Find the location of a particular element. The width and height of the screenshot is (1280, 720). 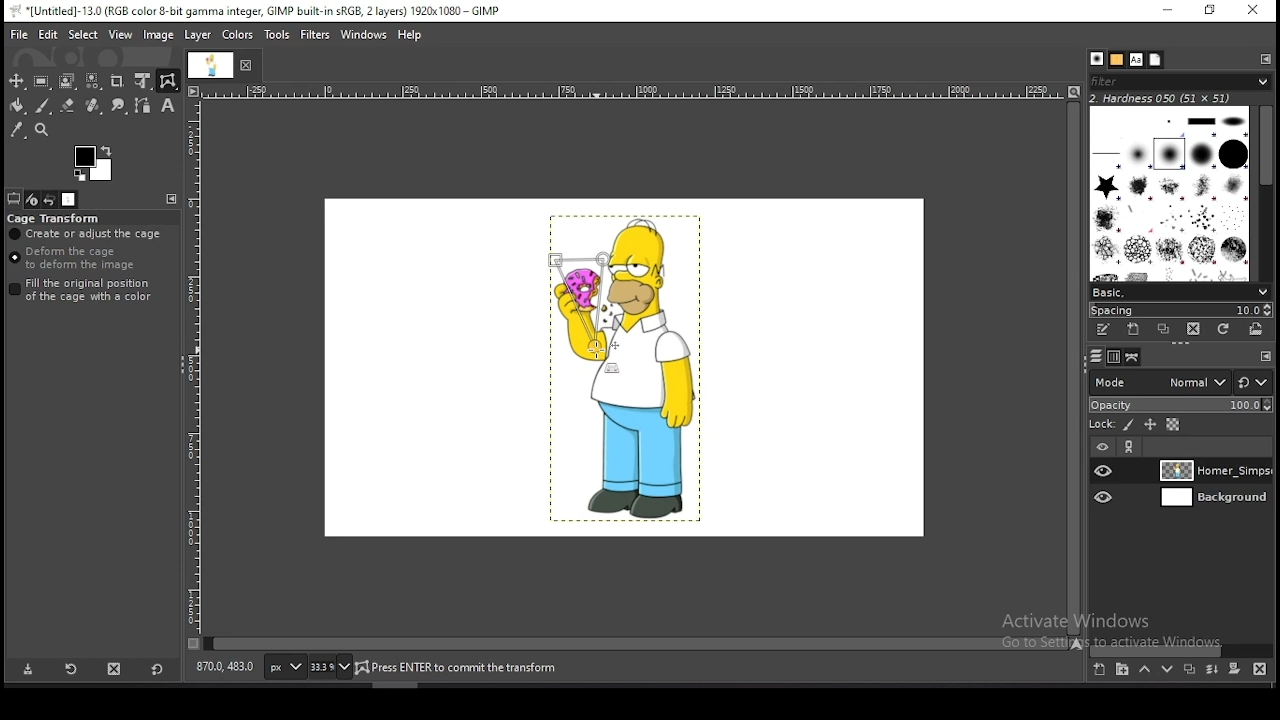

paintbrush tool is located at coordinates (42, 106).